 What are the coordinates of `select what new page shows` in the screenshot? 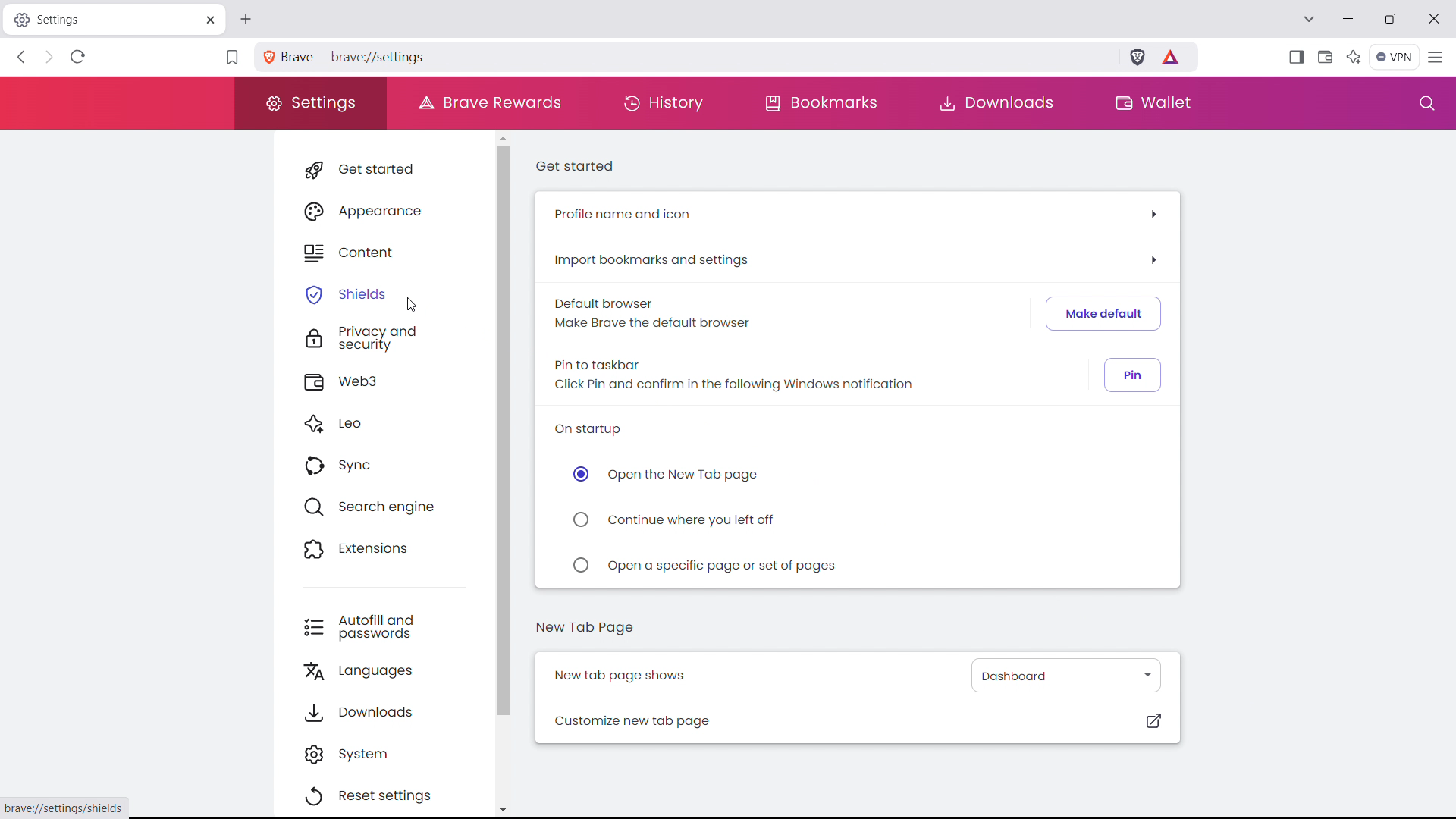 It's located at (1065, 674).